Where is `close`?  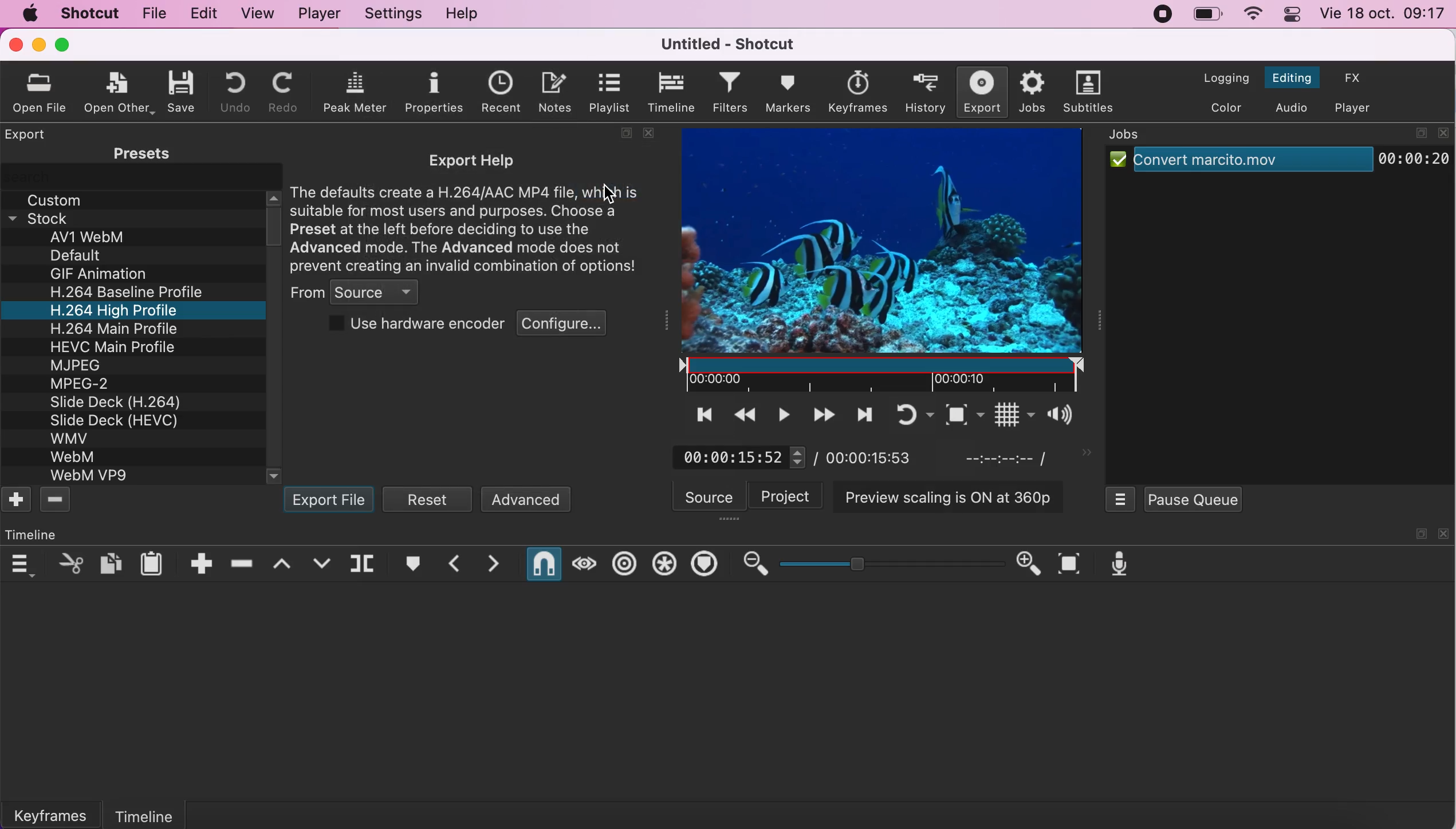
close is located at coordinates (654, 133).